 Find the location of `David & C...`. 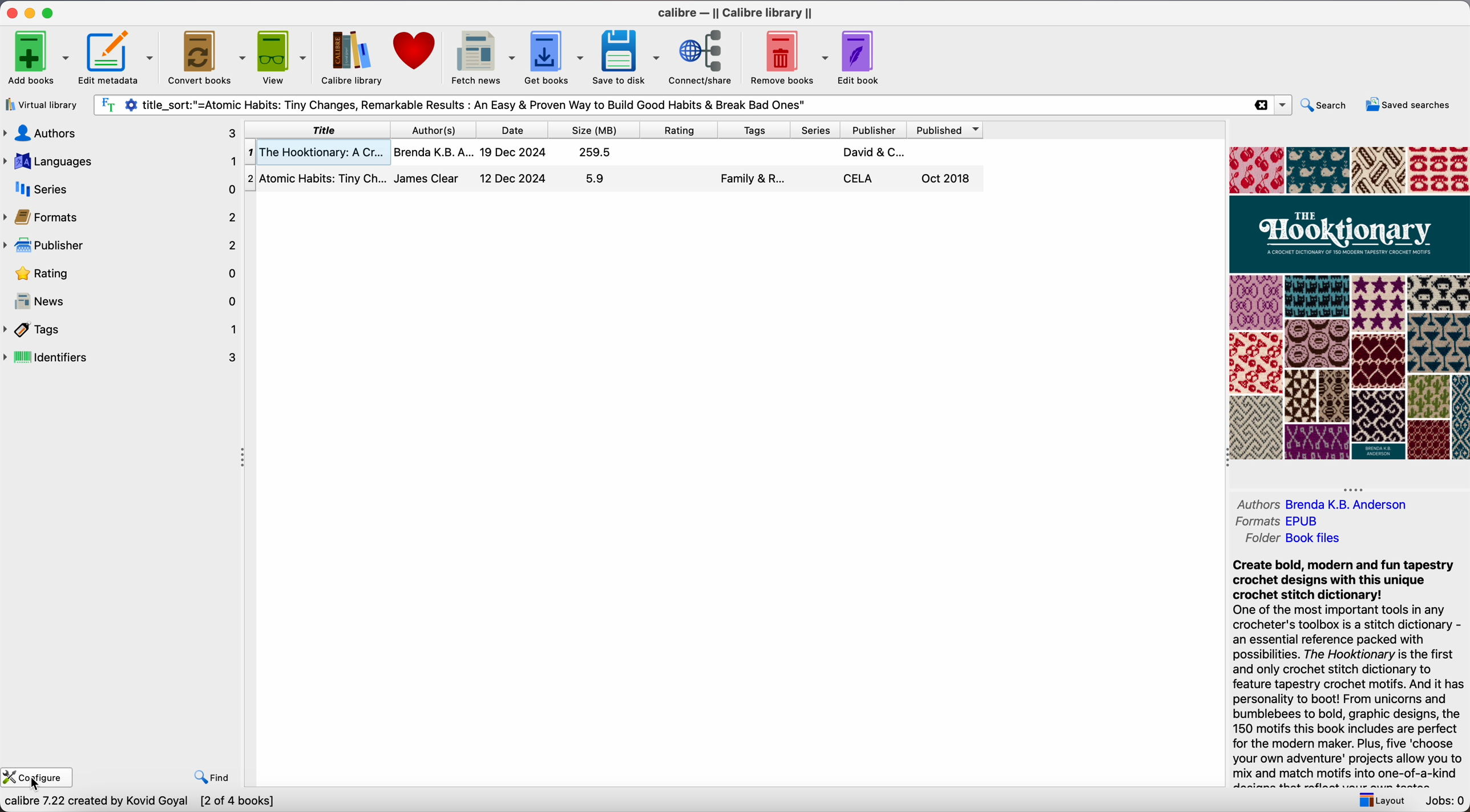

David & C... is located at coordinates (876, 152).